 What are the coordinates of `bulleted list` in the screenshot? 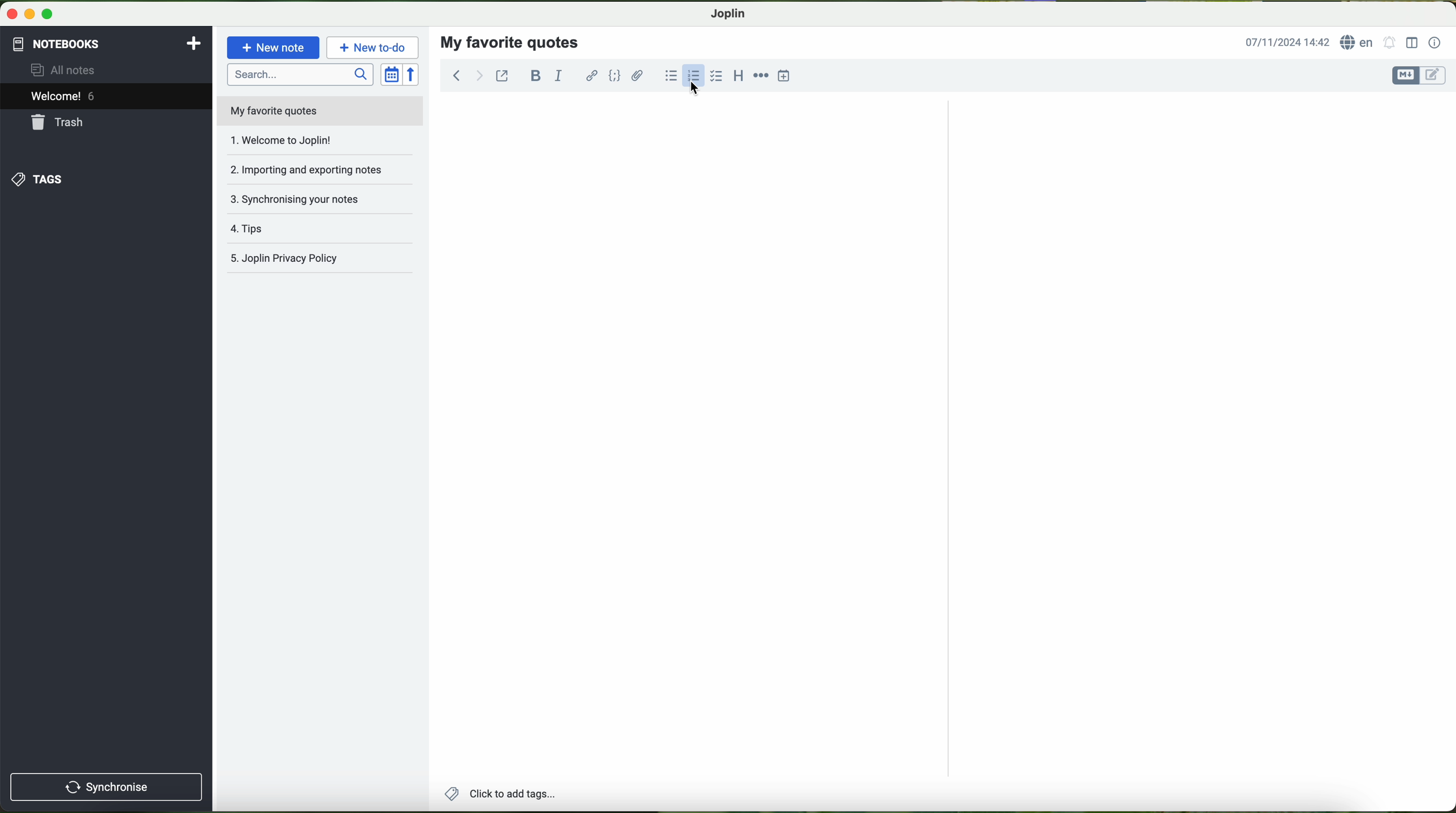 It's located at (670, 77).